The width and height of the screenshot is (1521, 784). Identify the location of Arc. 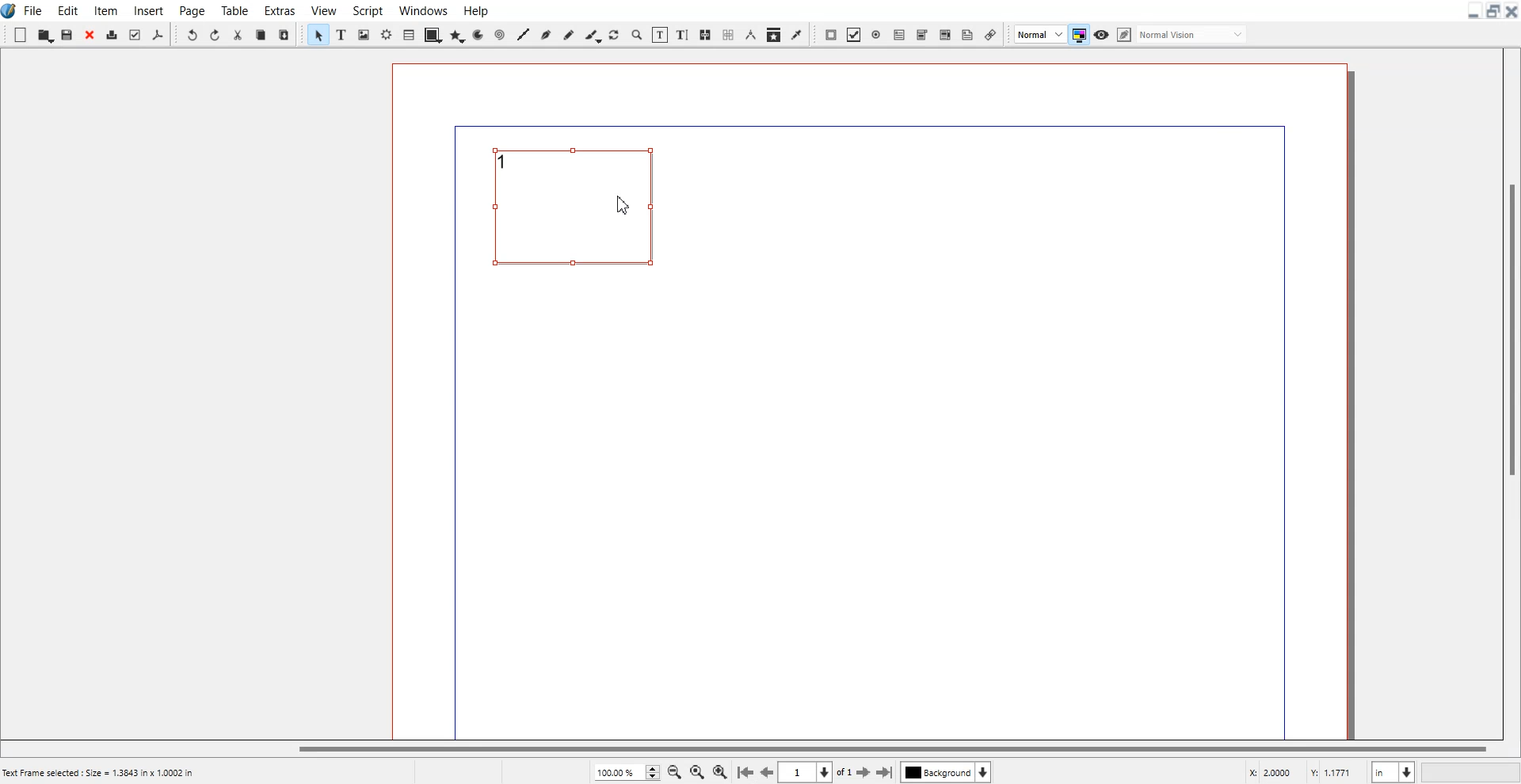
(478, 34).